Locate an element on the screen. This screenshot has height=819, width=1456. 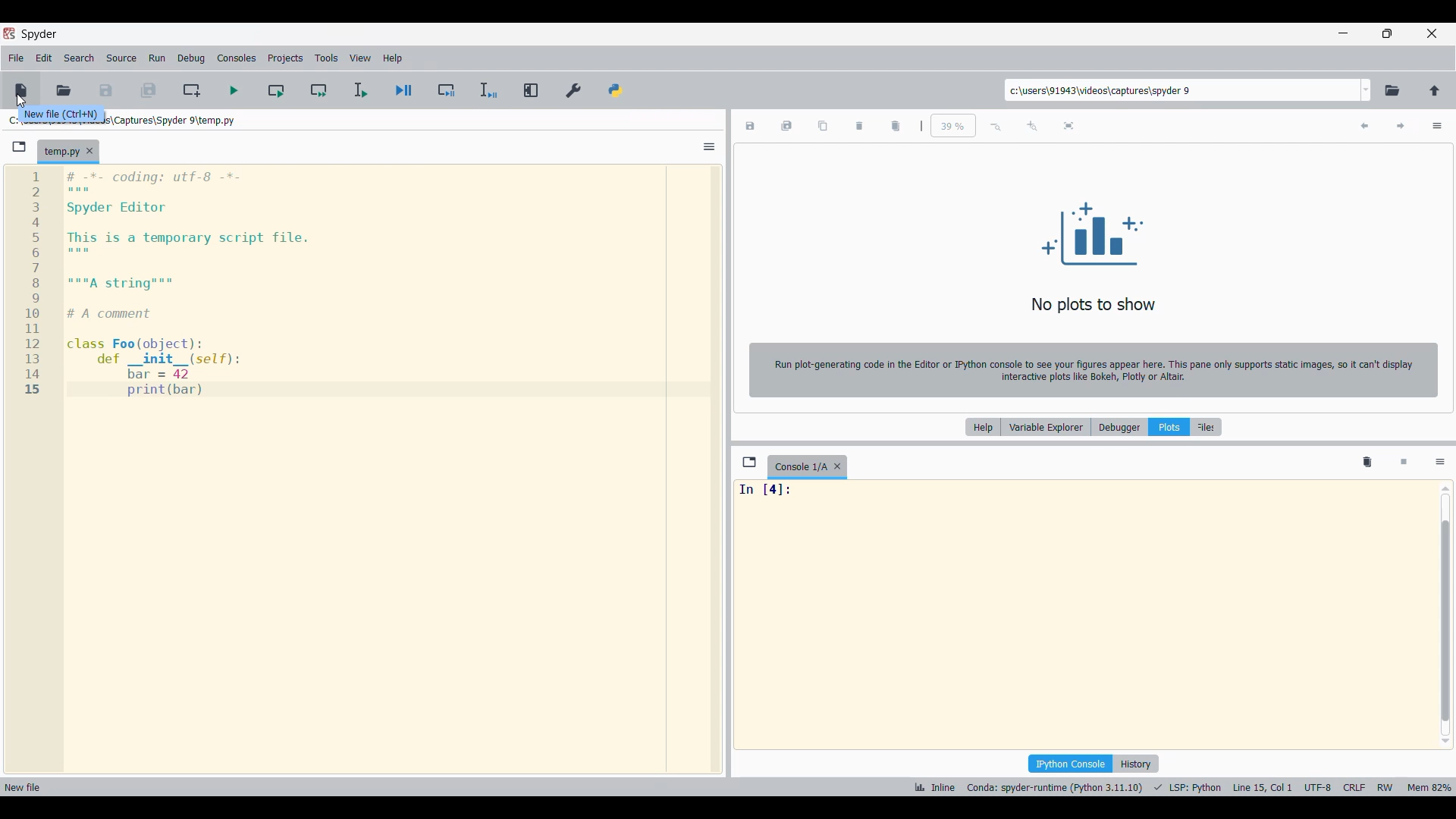
PYTHONPATH manager is located at coordinates (616, 91).